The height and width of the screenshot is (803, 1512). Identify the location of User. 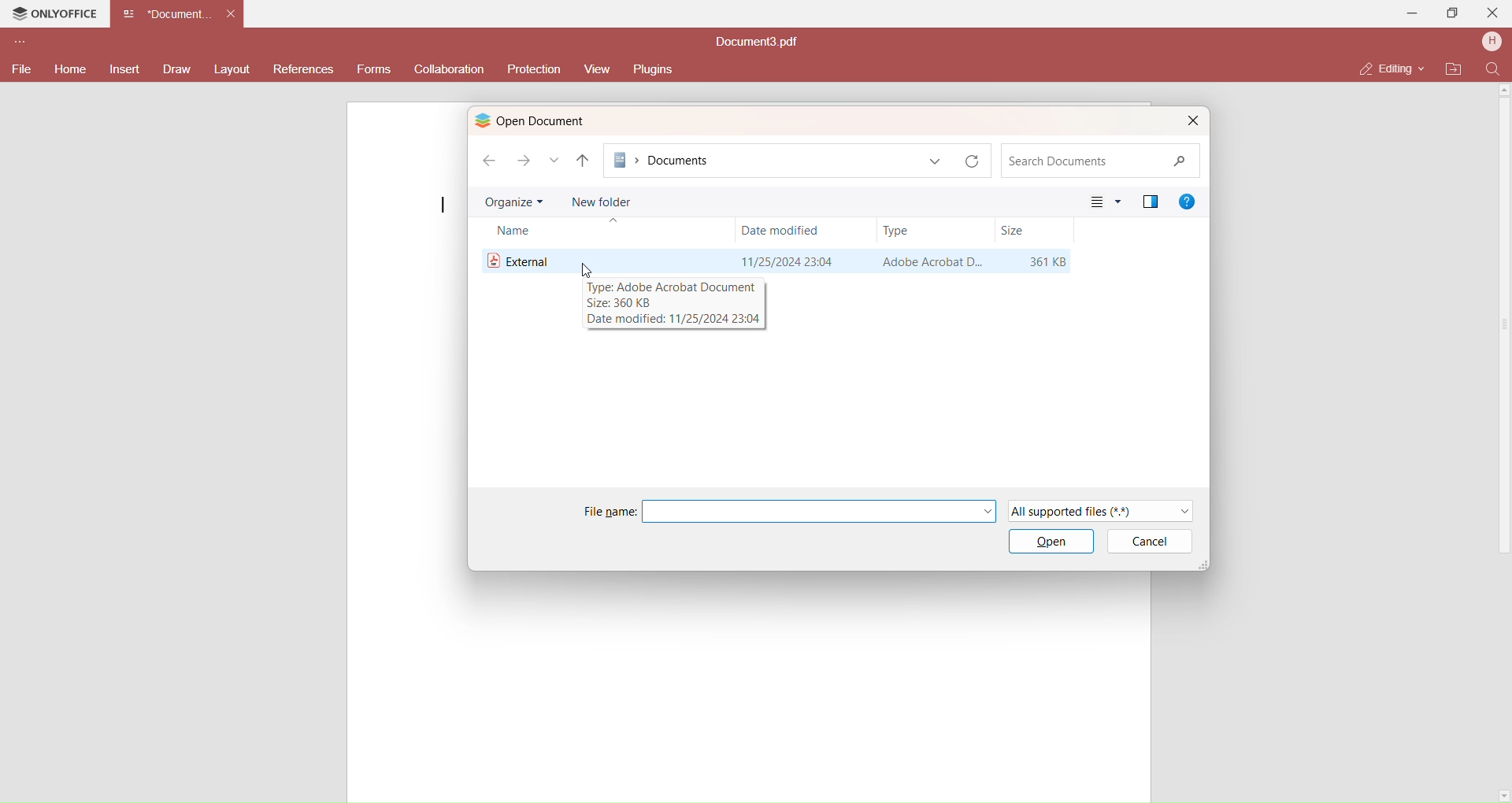
(1492, 43).